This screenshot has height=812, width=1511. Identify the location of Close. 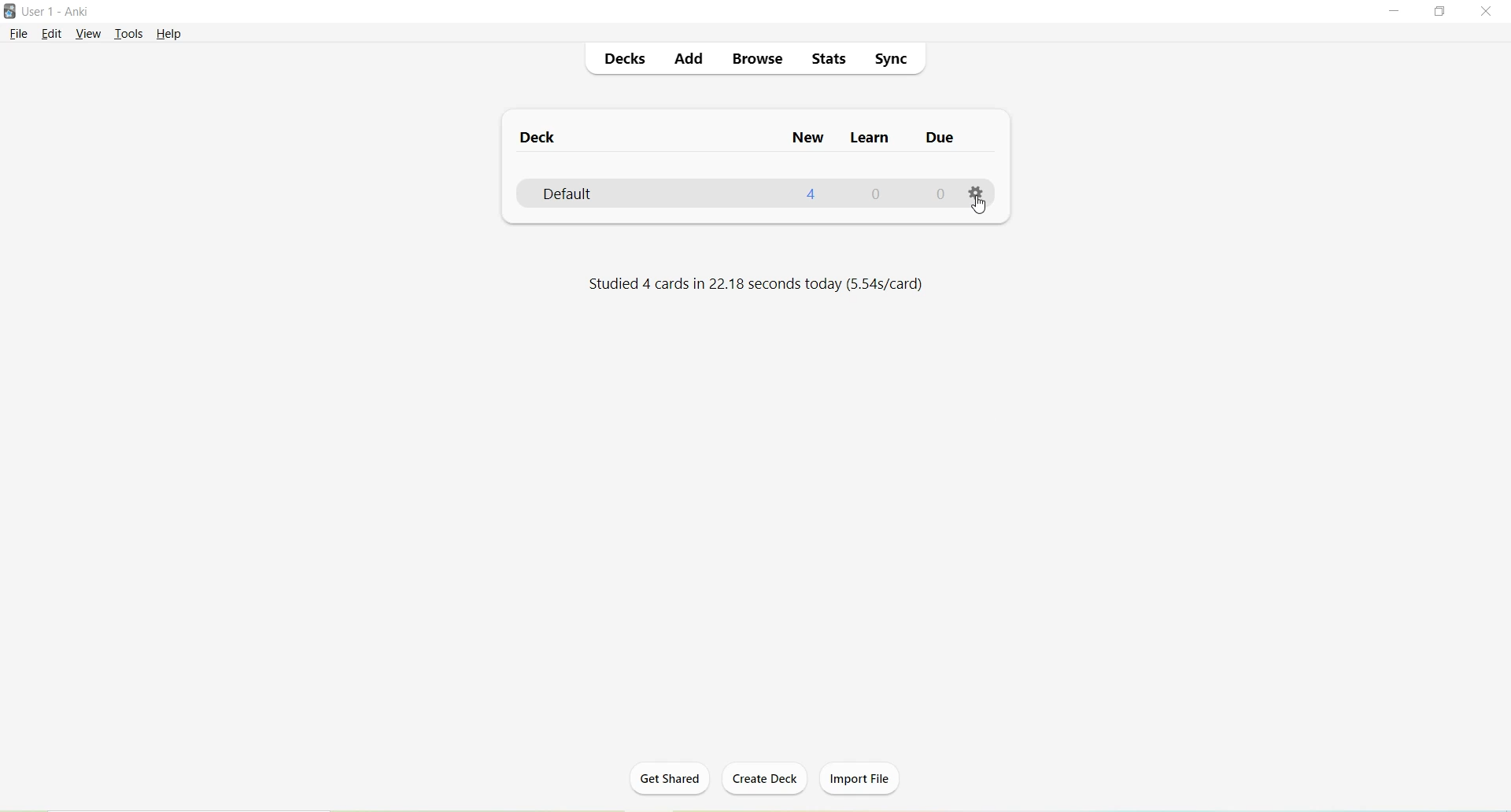
(1489, 13).